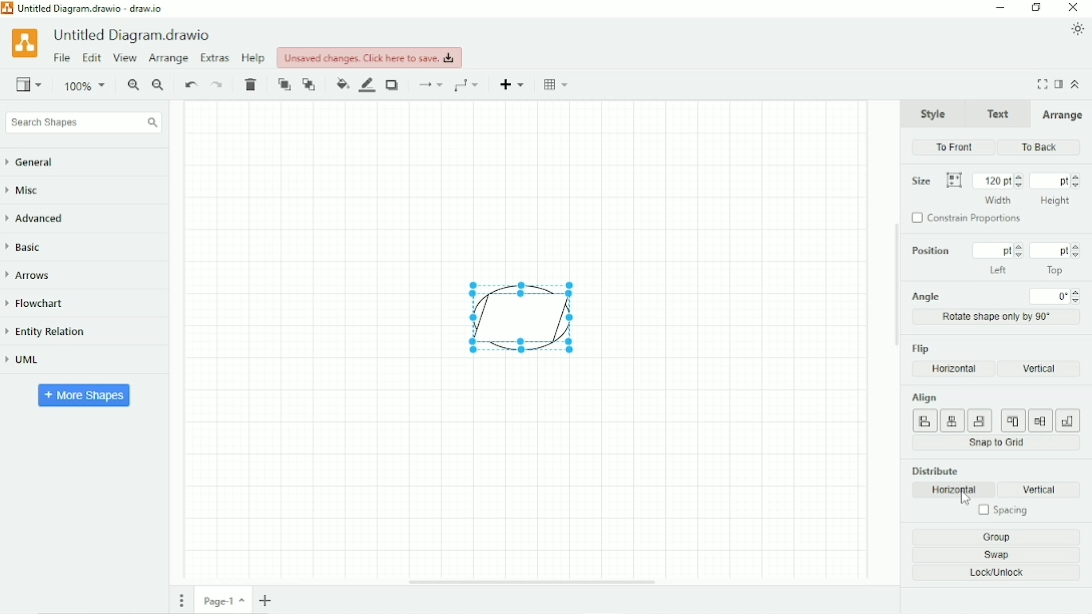 The width and height of the screenshot is (1092, 614). I want to click on Title , so click(89, 8).